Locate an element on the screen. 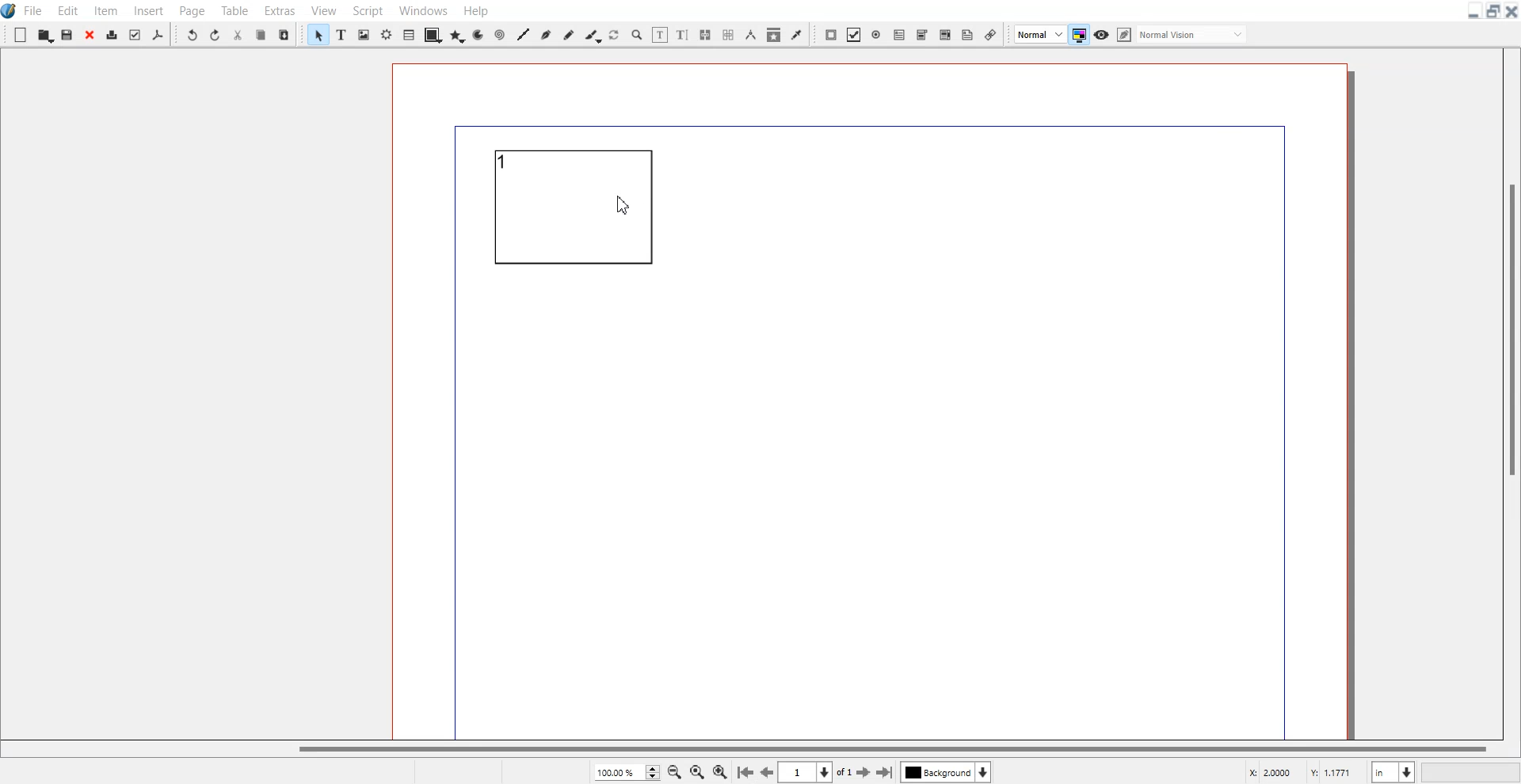 Image resolution: width=1521 pixels, height=784 pixels. X, Y Co-ordinate is located at coordinates (1302, 772).